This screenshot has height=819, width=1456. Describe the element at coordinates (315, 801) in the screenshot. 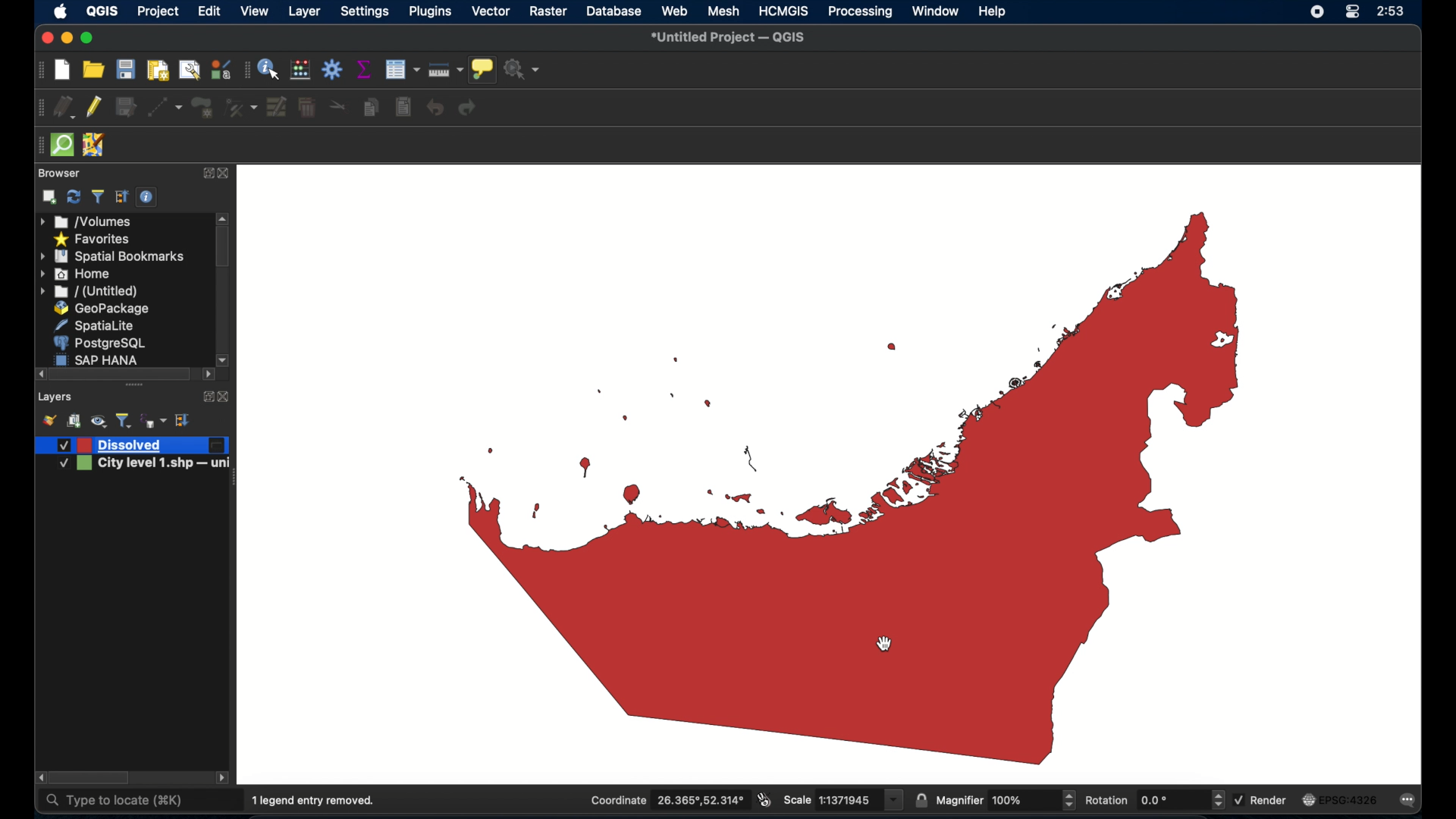

I see `1 legend entry removed` at that location.